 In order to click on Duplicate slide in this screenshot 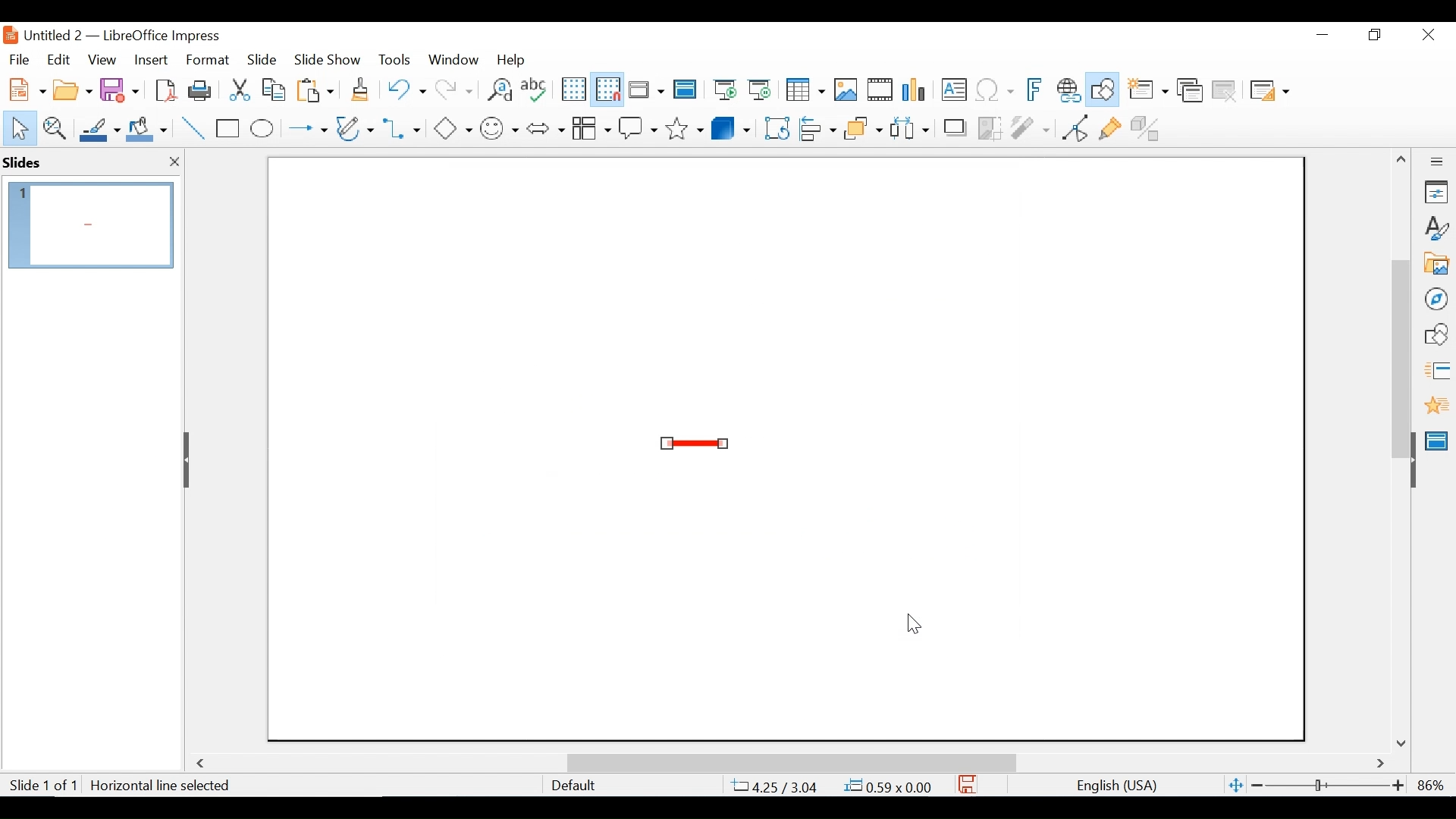, I will do `click(1190, 91)`.